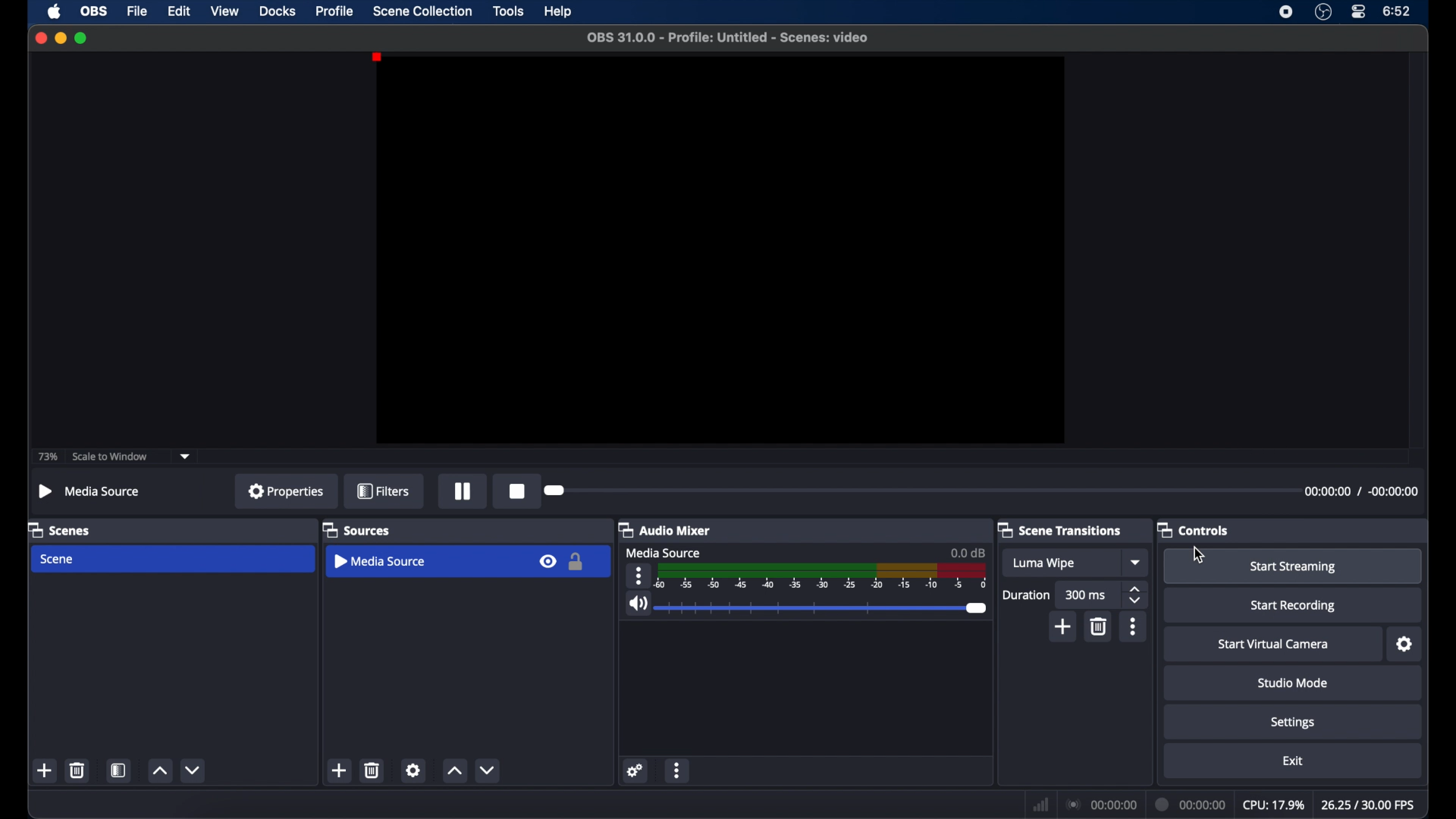 The height and width of the screenshot is (819, 1456). I want to click on properties, so click(287, 491).